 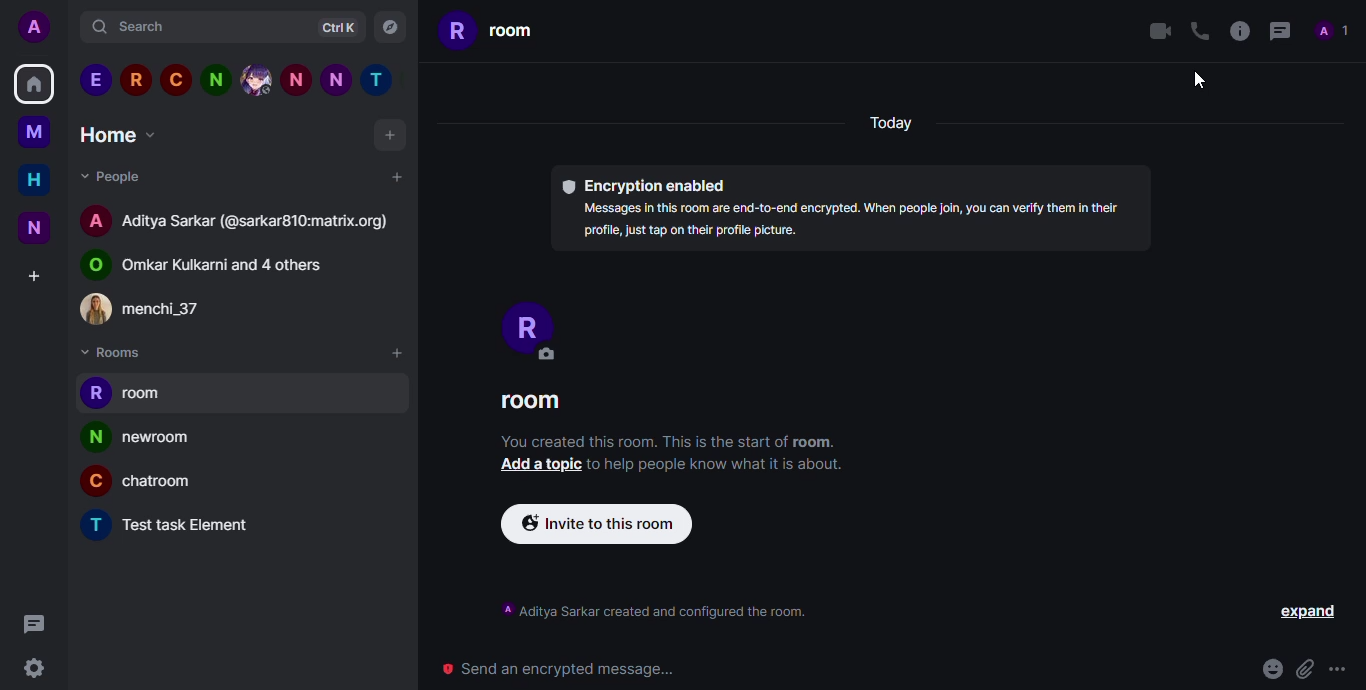 I want to click on Account, so click(x=34, y=29).